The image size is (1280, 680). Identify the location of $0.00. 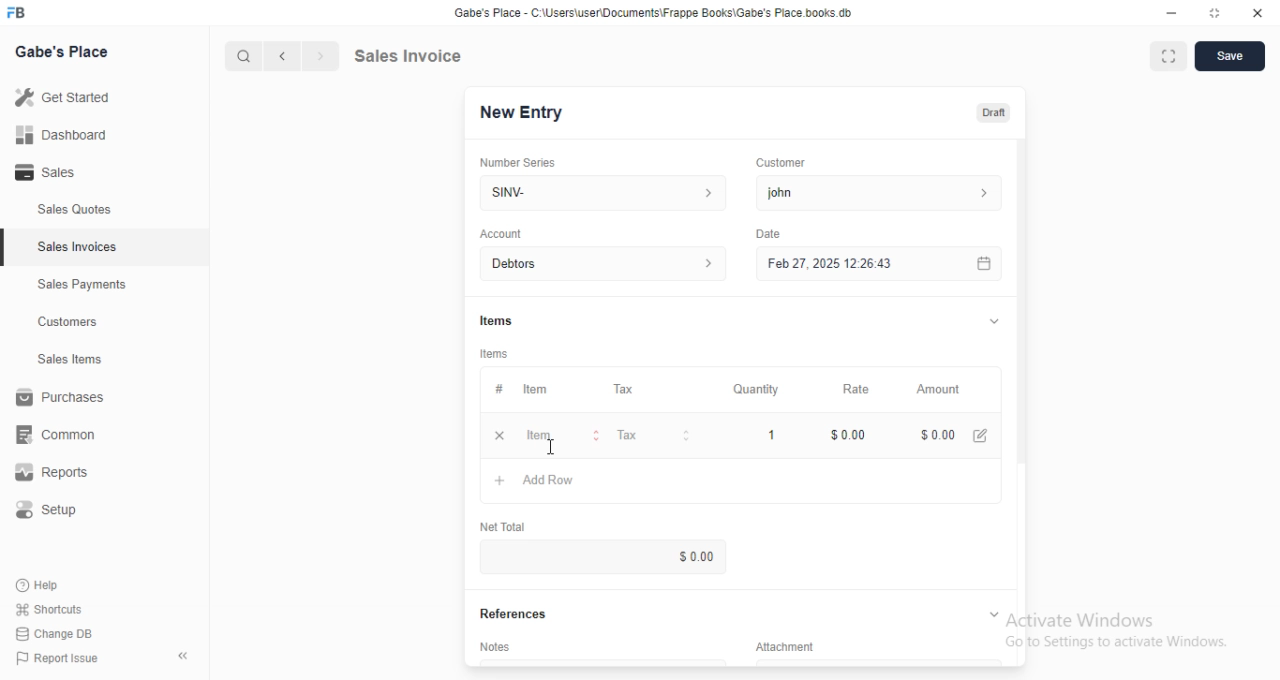
(957, 433).